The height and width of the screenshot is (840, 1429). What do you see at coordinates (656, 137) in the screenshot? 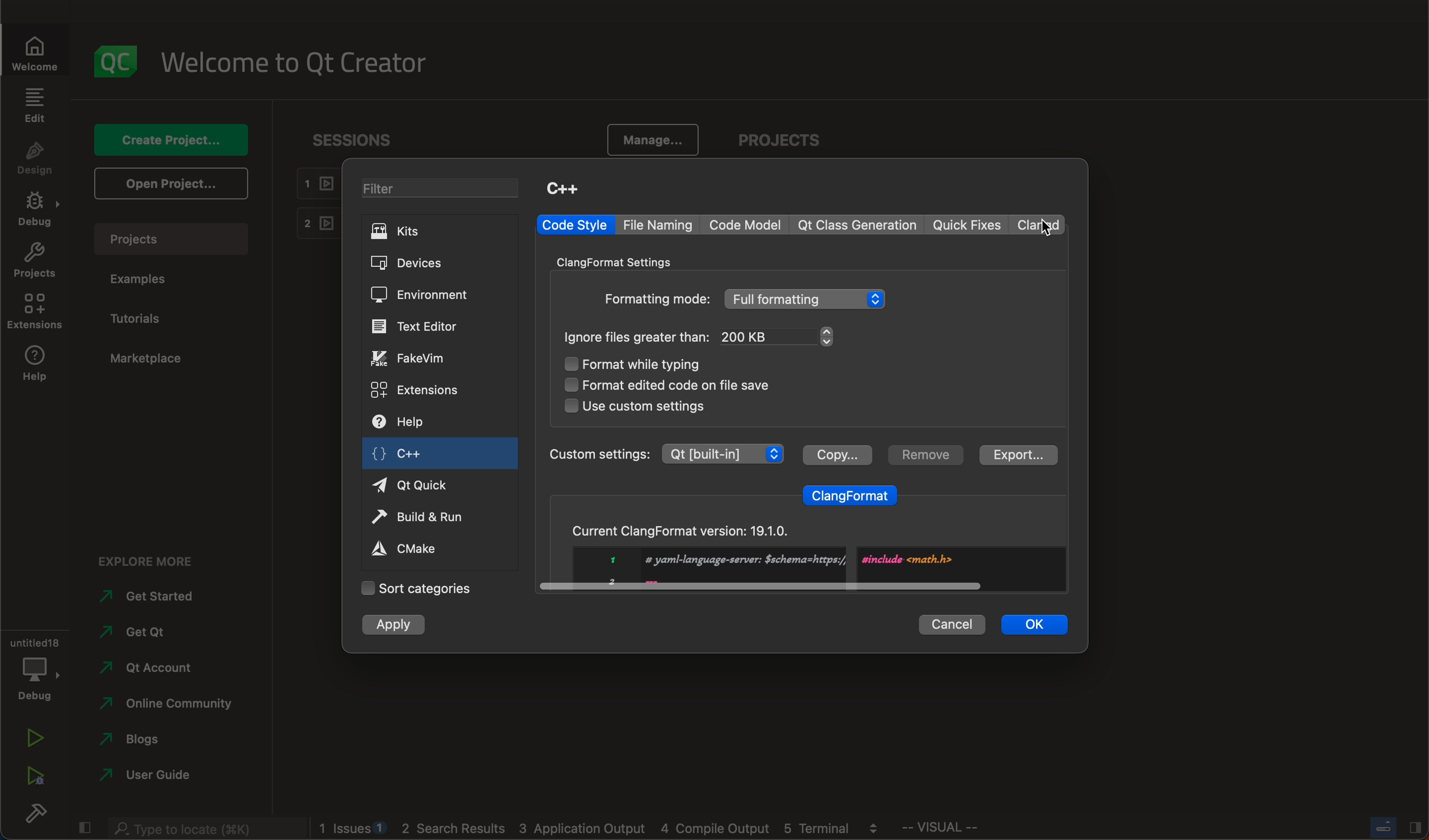
I see `manage` at bounding box center [656, 137].